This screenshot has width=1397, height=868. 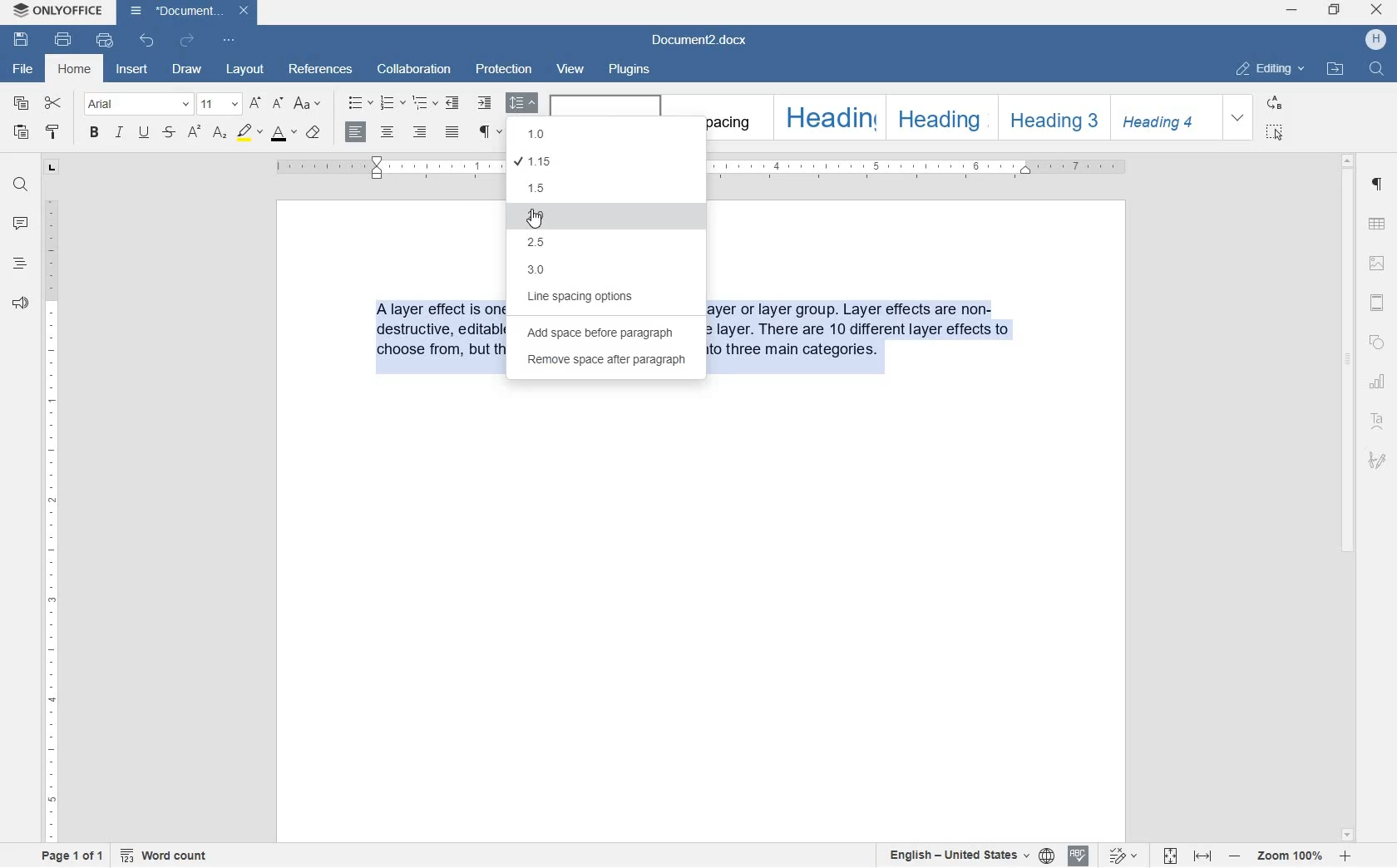 I want to click on font name, so click(x=136, y=105).